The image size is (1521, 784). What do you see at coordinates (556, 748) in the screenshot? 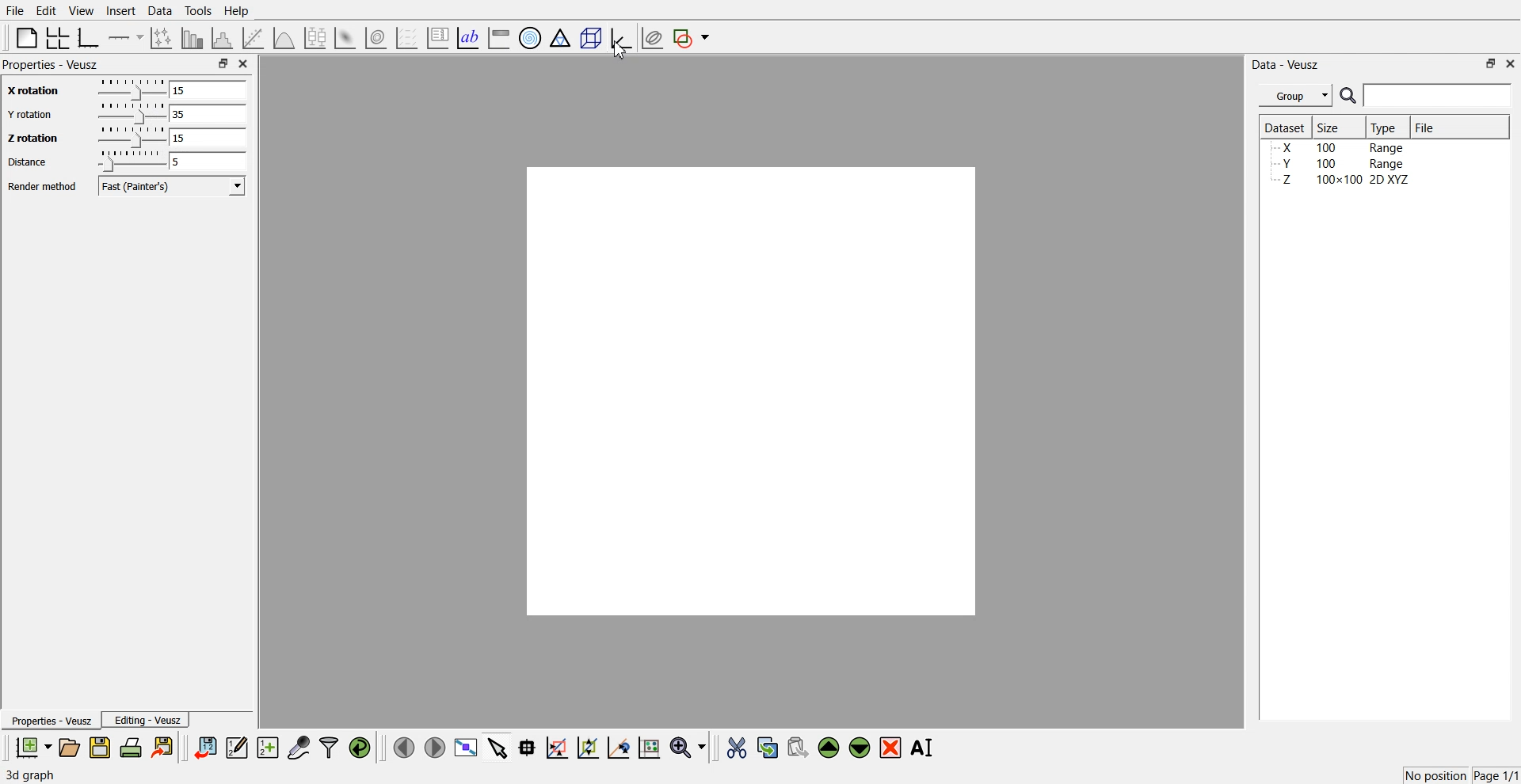
I see `Draw a rectangle to zoom graph axes` at bounding box center [556, 748].